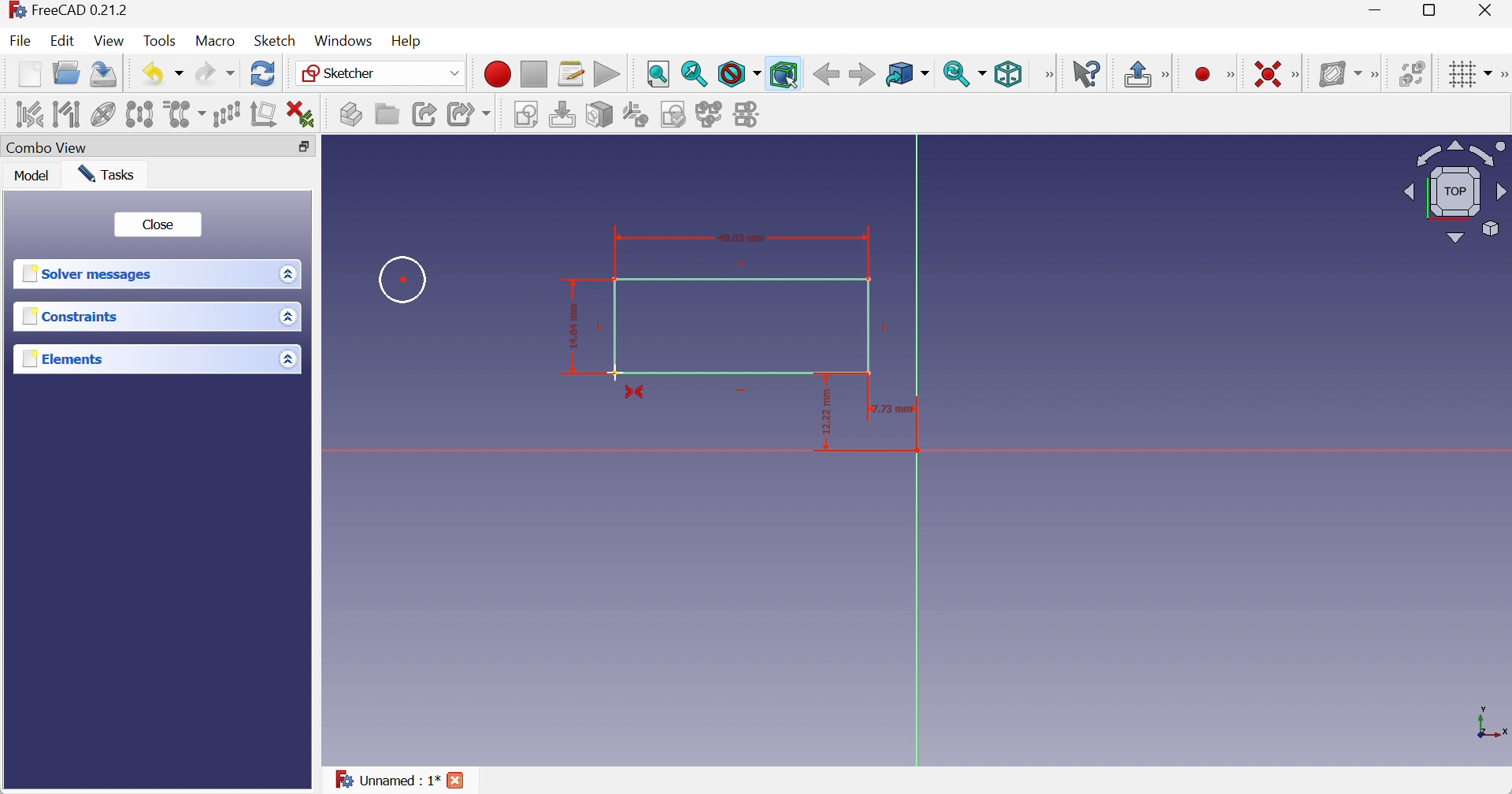  I want to click on Rectangle with dimensions, so click(732, 294).